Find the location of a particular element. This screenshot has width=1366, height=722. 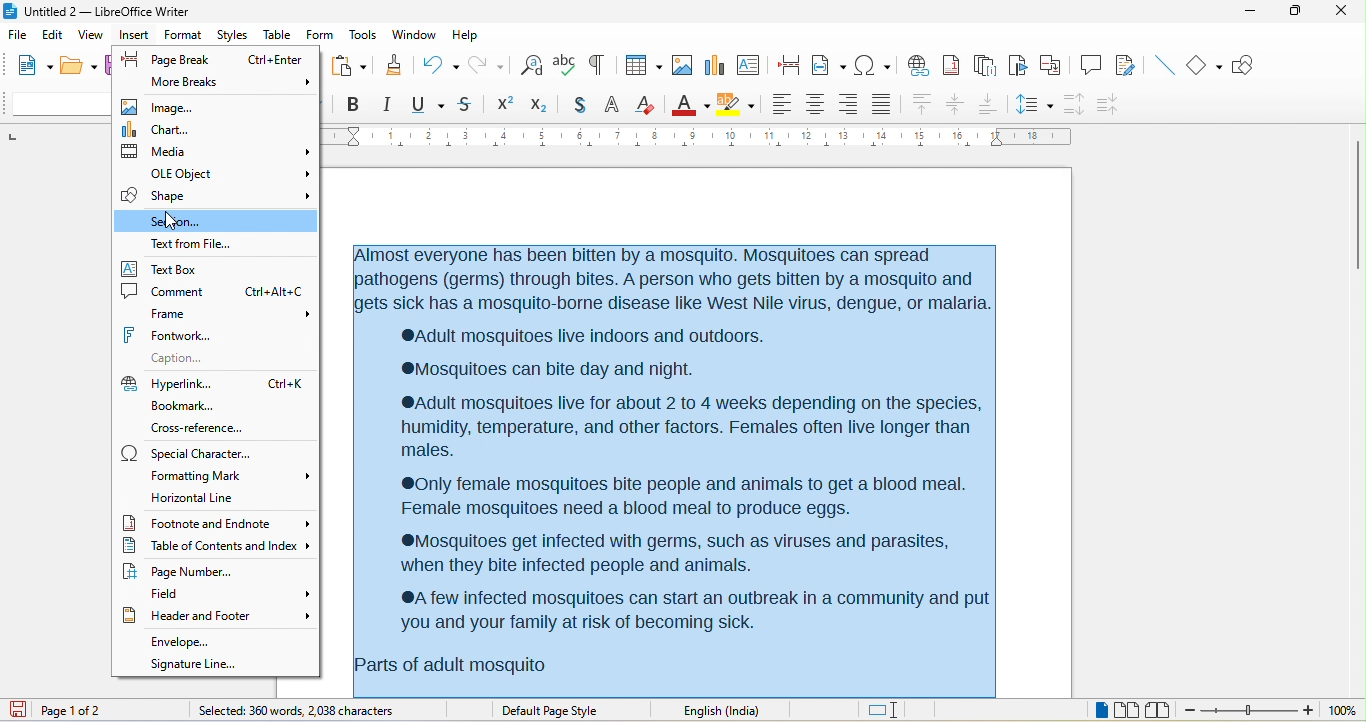

insert is located at coordinates (134, 33).